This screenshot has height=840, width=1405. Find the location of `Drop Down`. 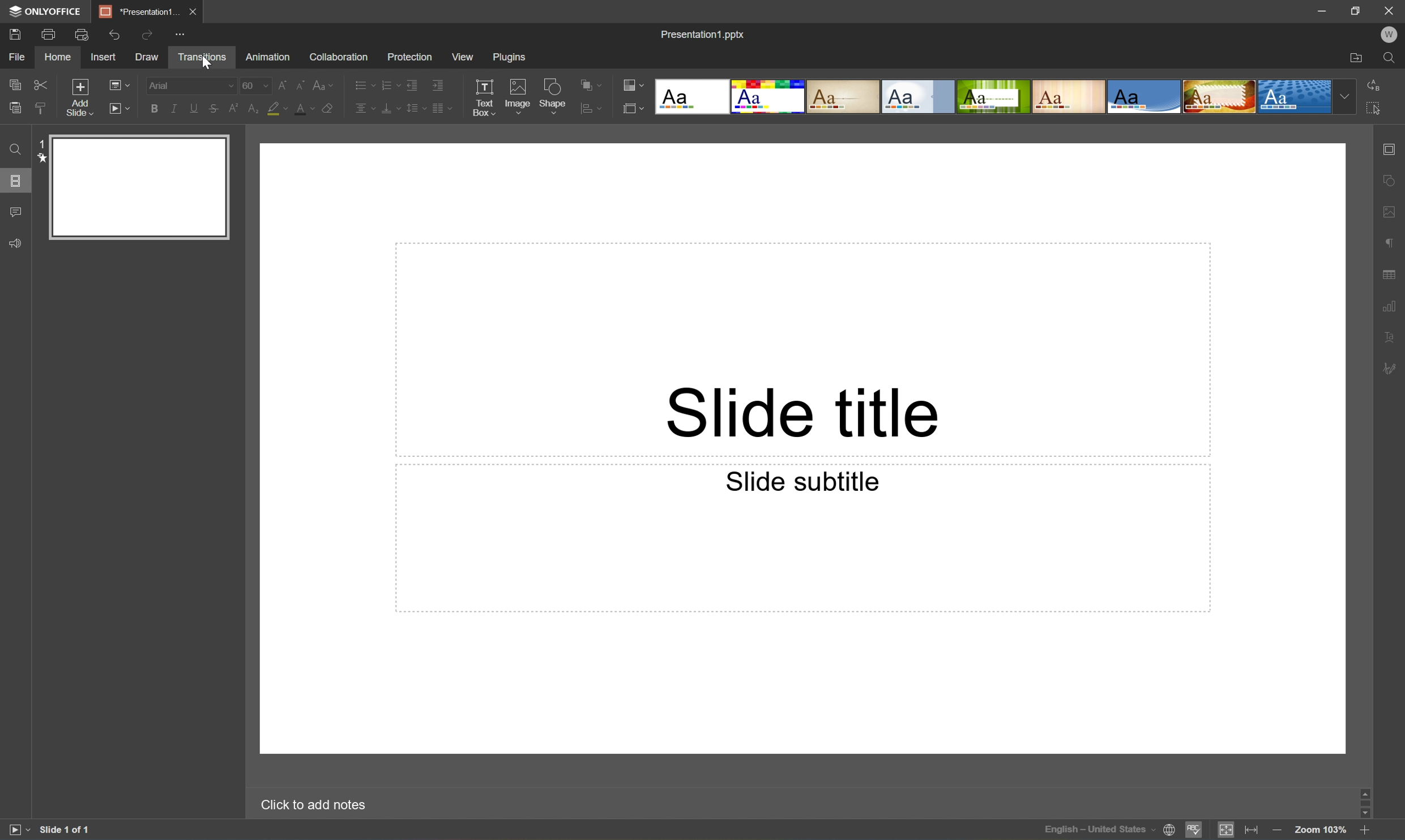

Drop Down is located at coordinates (1348, 97).